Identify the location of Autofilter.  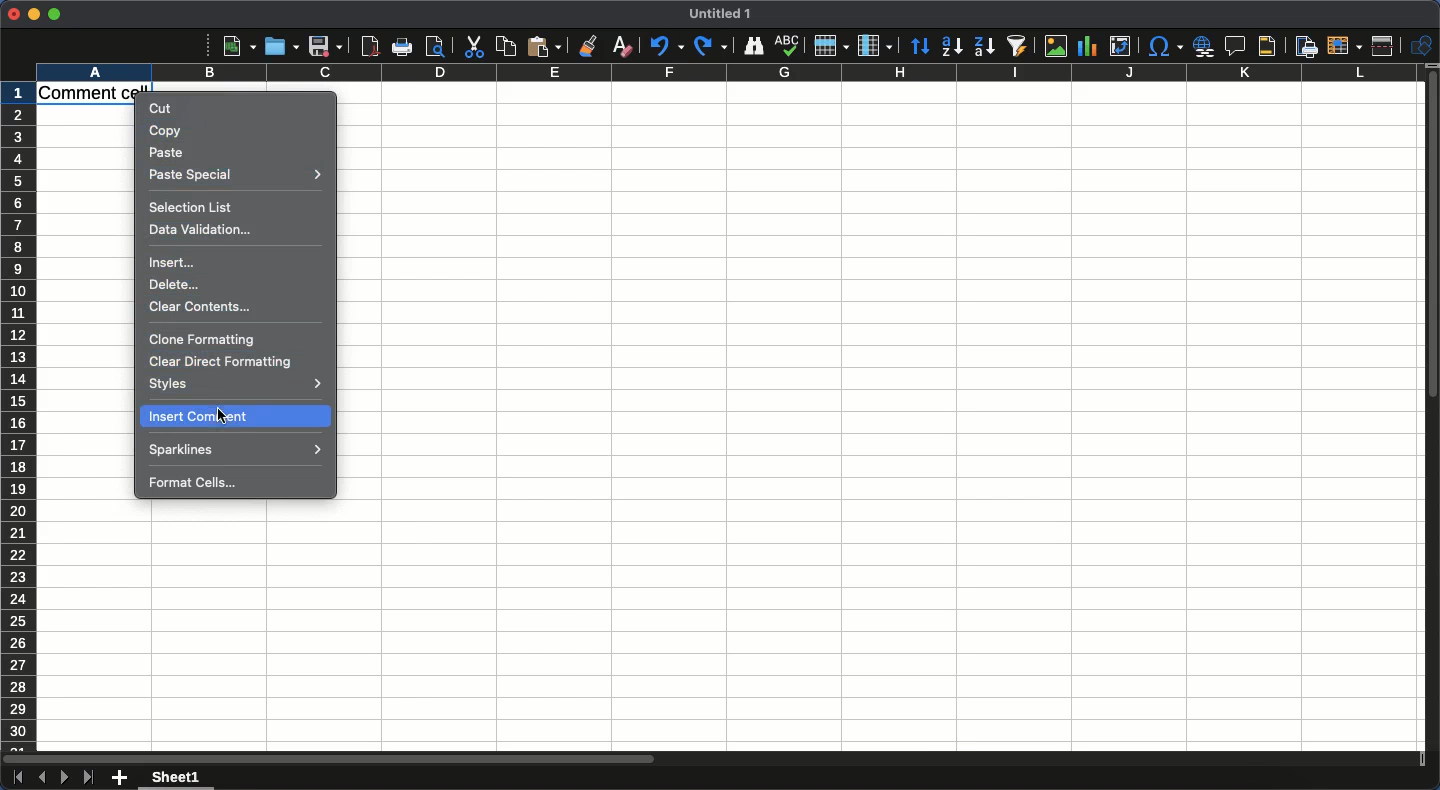
(1021, 44).